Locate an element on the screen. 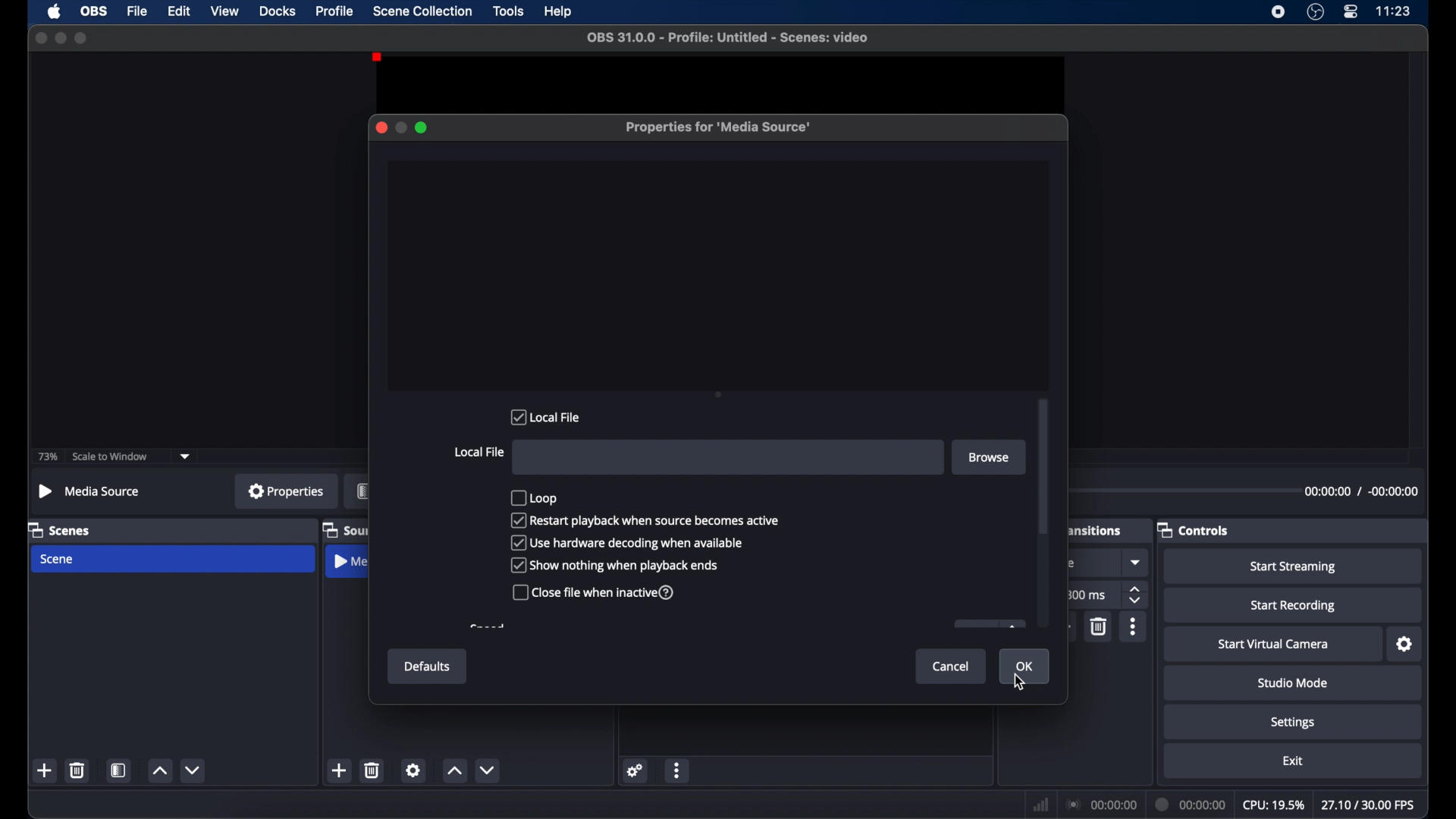 The image size is (1456, 819). scene collection is located at coordinates (422, 11).